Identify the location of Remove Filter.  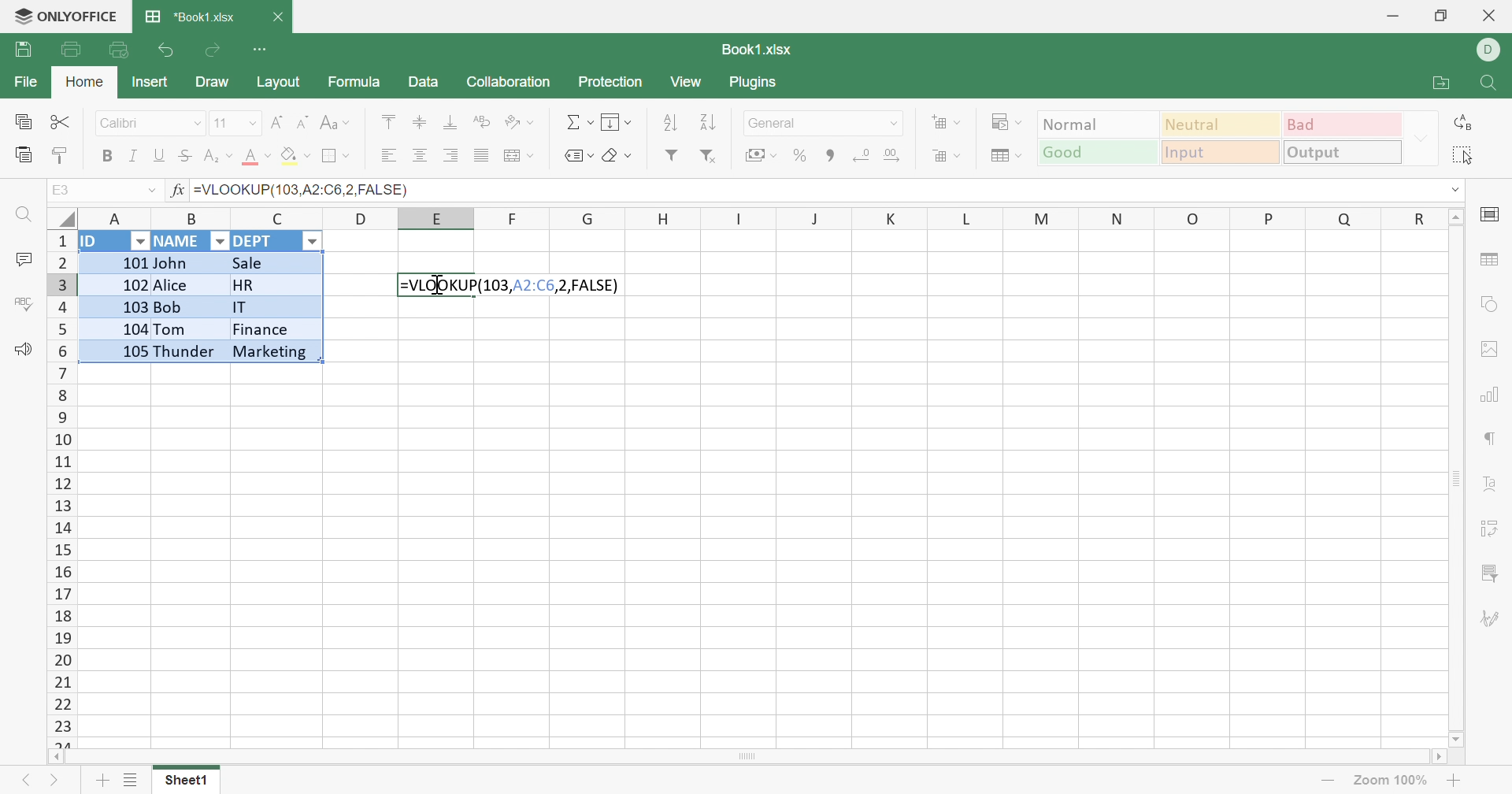
(707, 155).